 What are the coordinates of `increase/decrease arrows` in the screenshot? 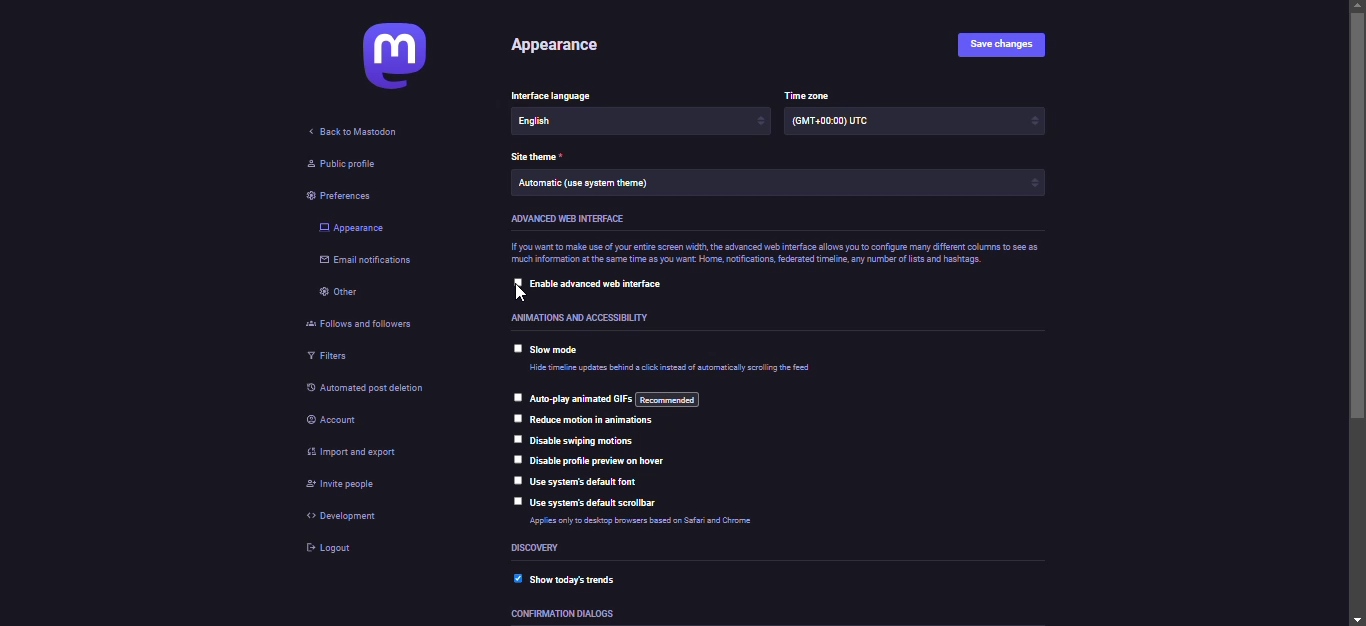 It's located at (1033, 120).